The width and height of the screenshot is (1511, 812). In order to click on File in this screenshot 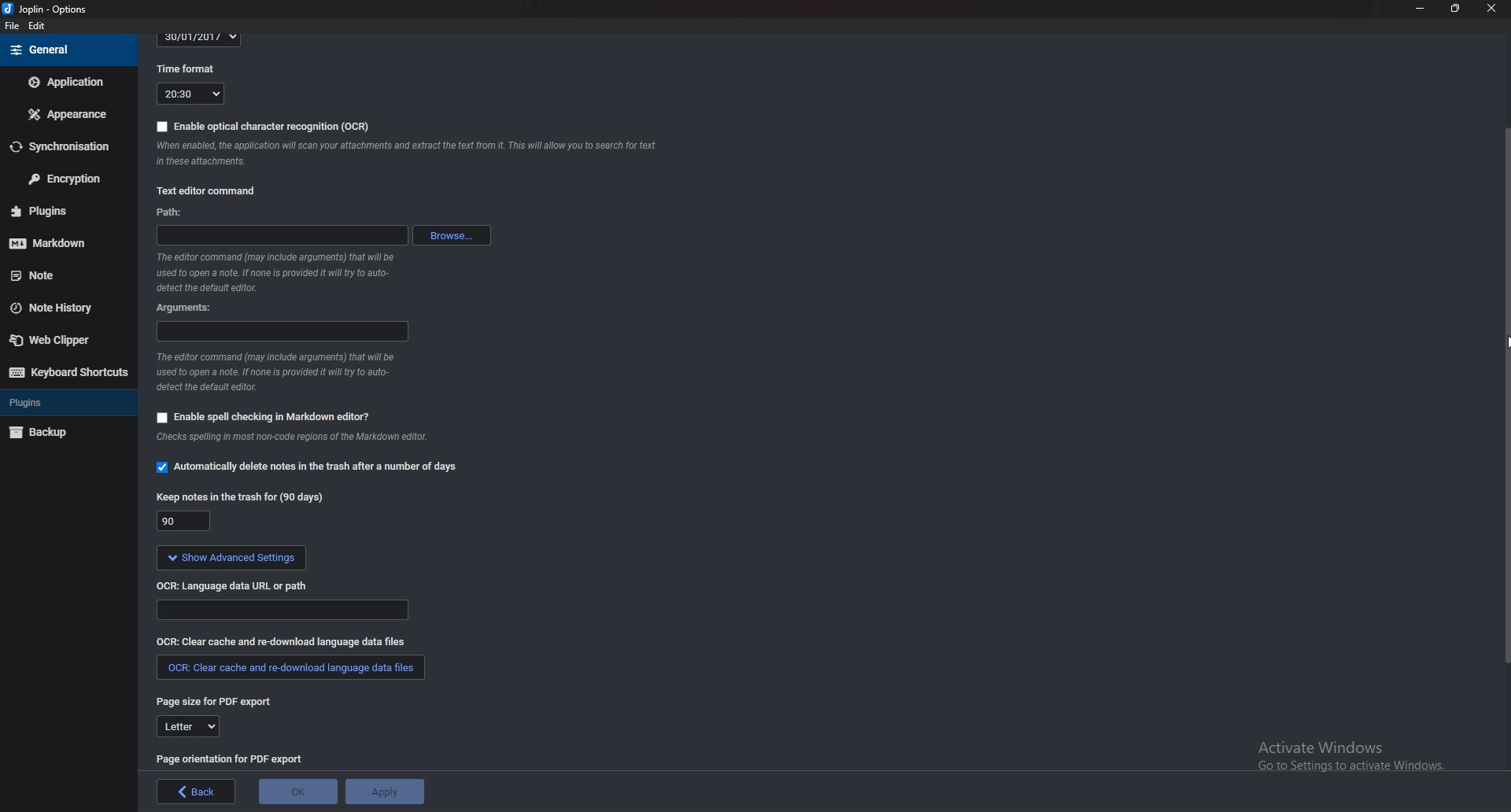, I will do `click(13, 26)`.